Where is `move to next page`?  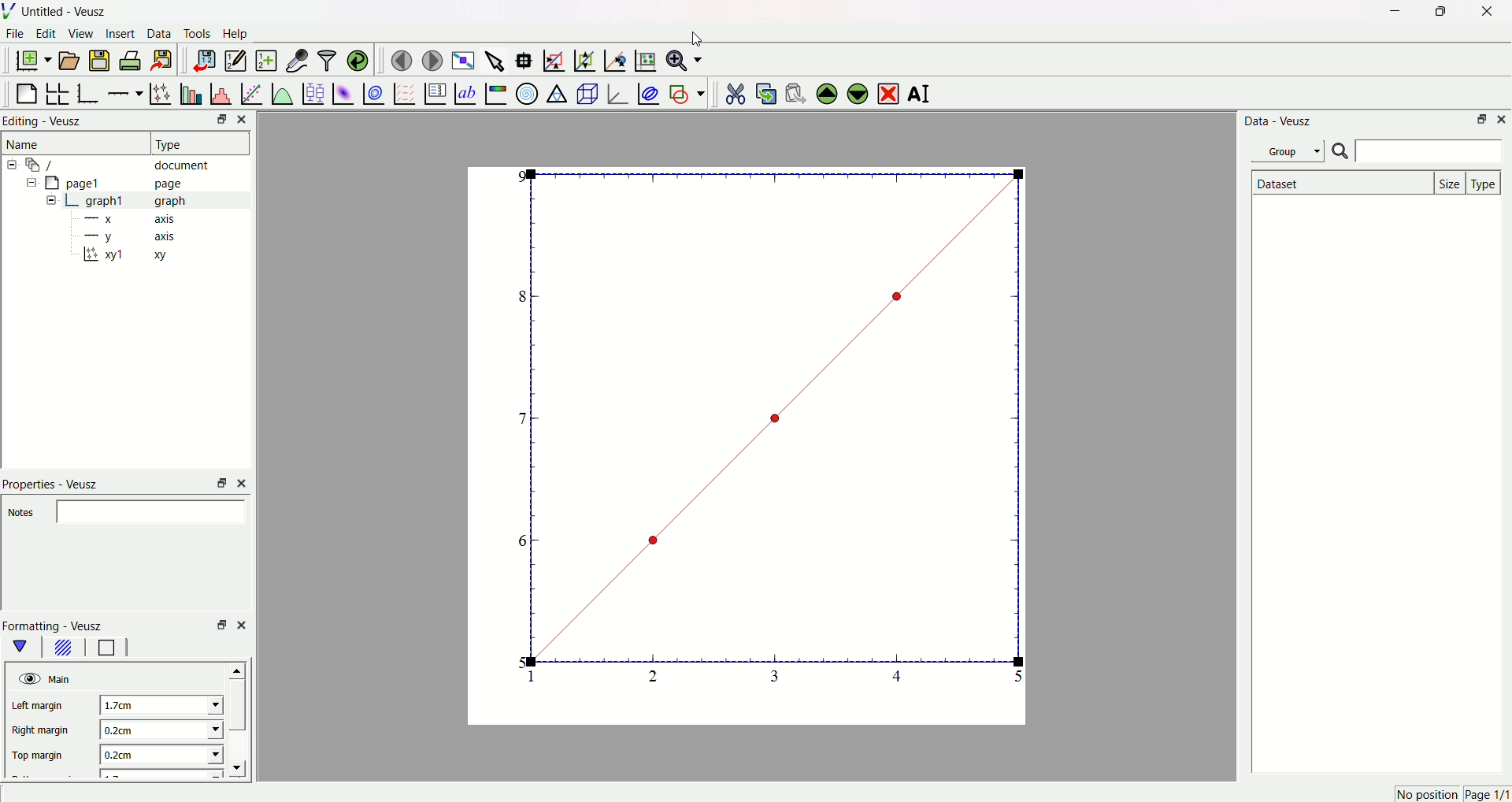
move to next page is located at coordinates (433, 58).